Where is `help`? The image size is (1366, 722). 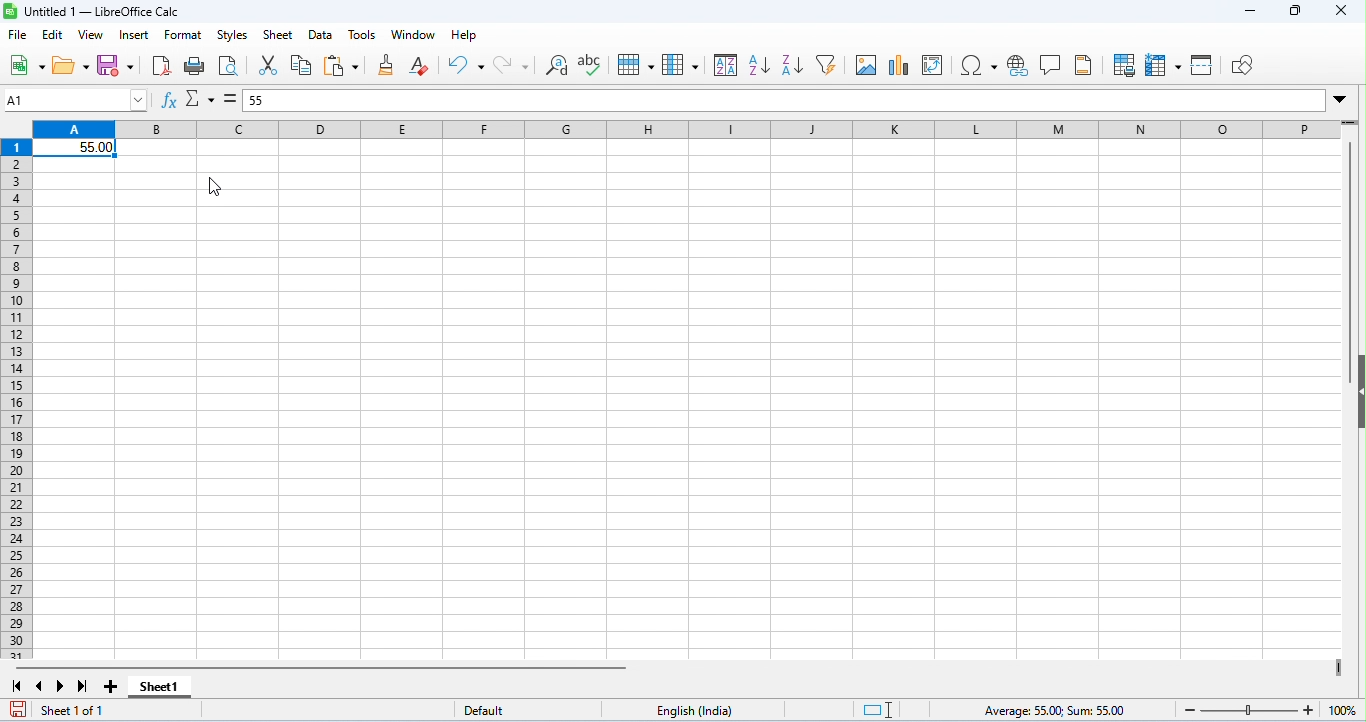 help is located at coordinates (467, 36).